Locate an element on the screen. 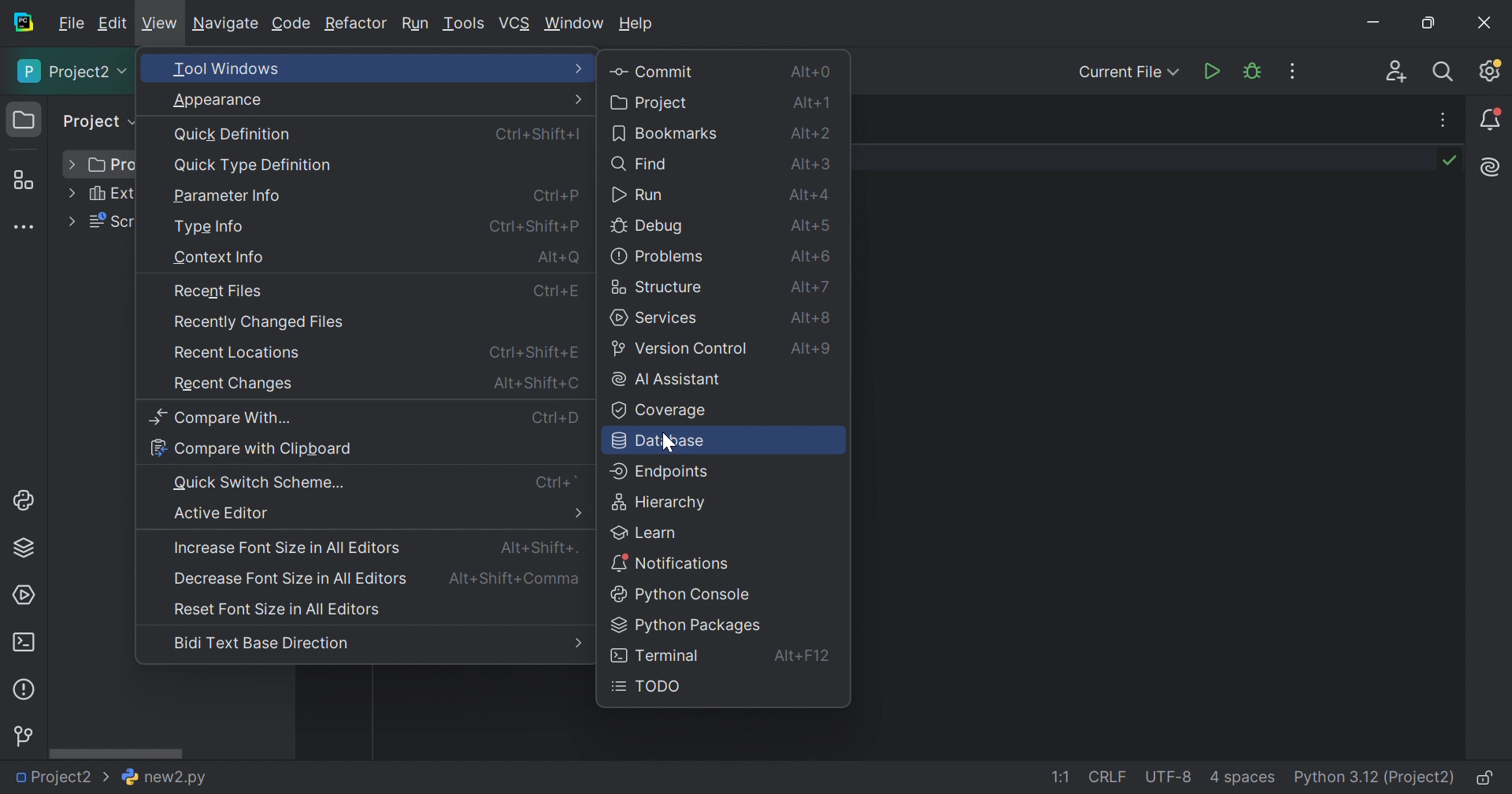 Image resolution: width=1512 pixels, height=794 pixels. Help is located at coordinates (637, 24).